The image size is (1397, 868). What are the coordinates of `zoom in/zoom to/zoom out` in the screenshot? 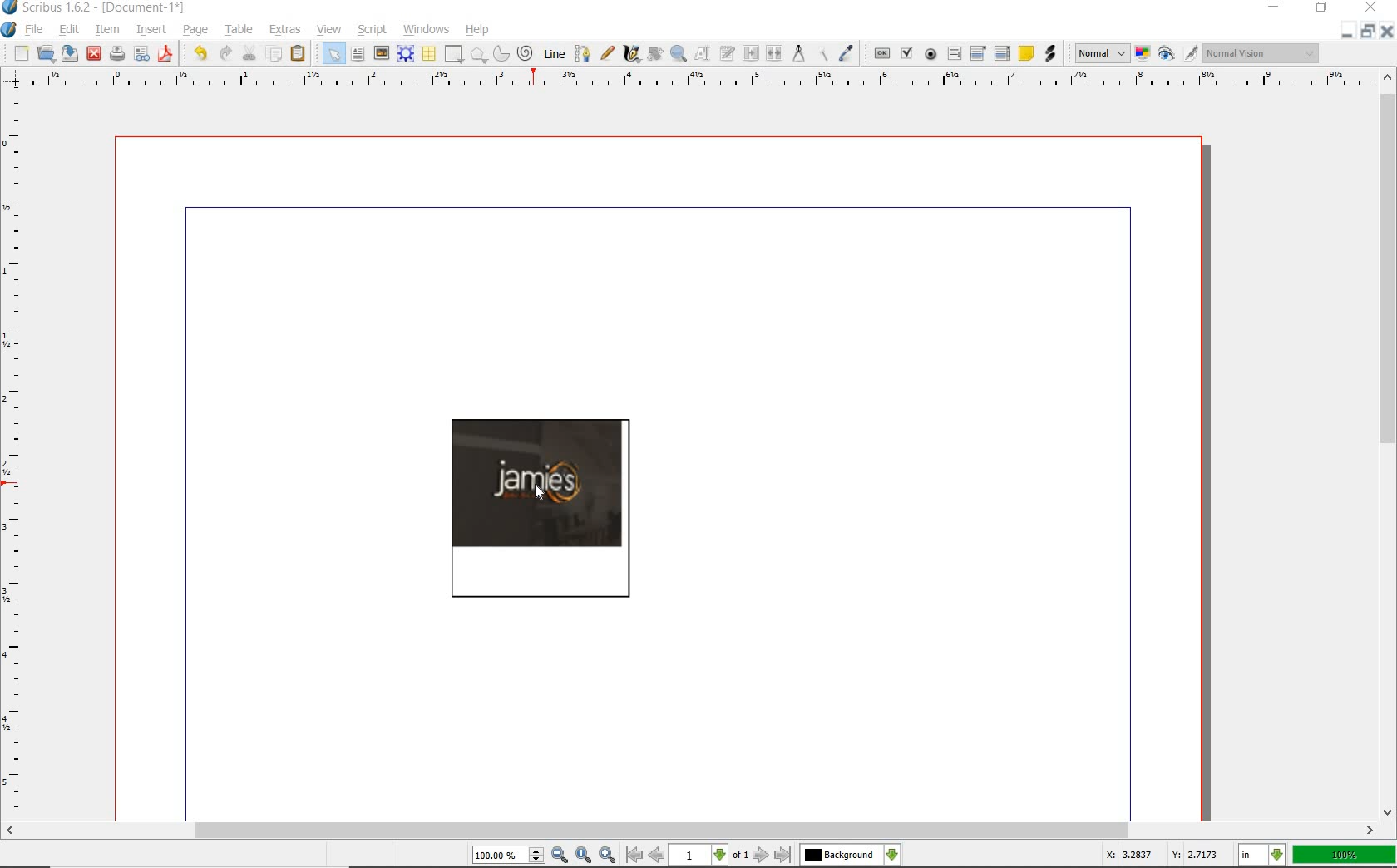 It's located at (544, 855).